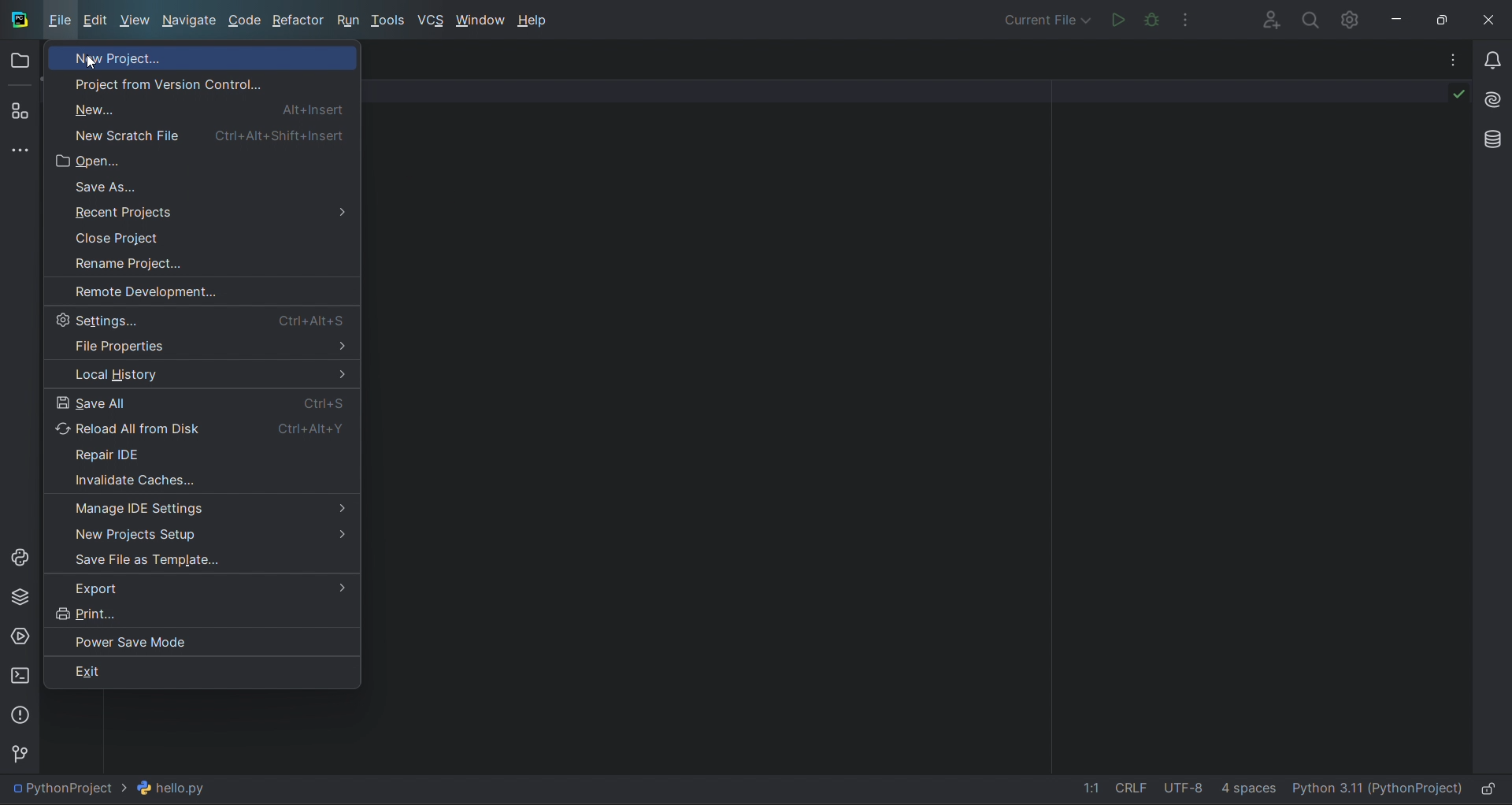 This screenshot has width=1512, height=805. I want to click on minimize, so click(1402, 19).